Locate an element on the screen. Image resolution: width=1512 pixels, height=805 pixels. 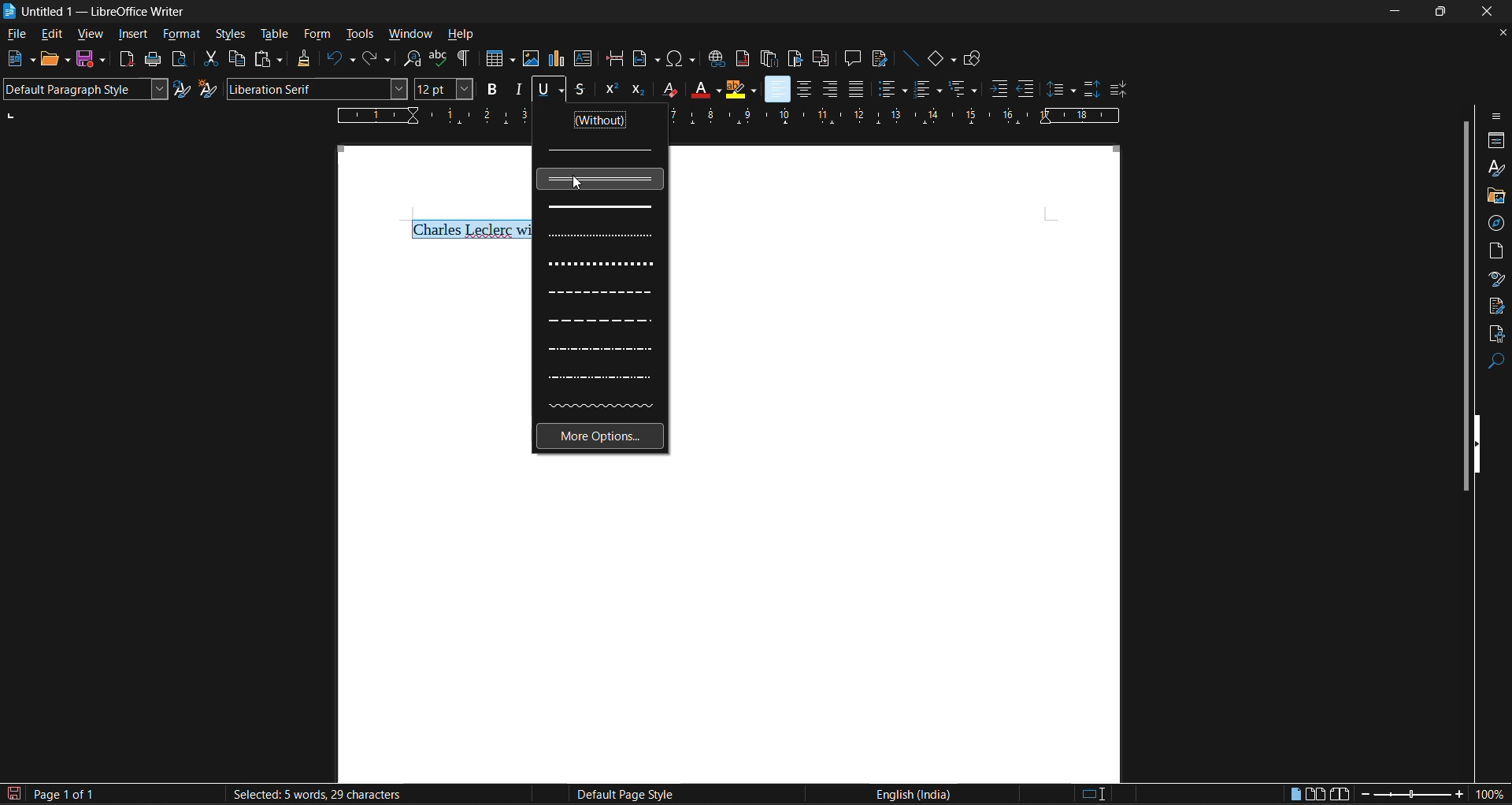
redo is located at coordinates (378, 59).